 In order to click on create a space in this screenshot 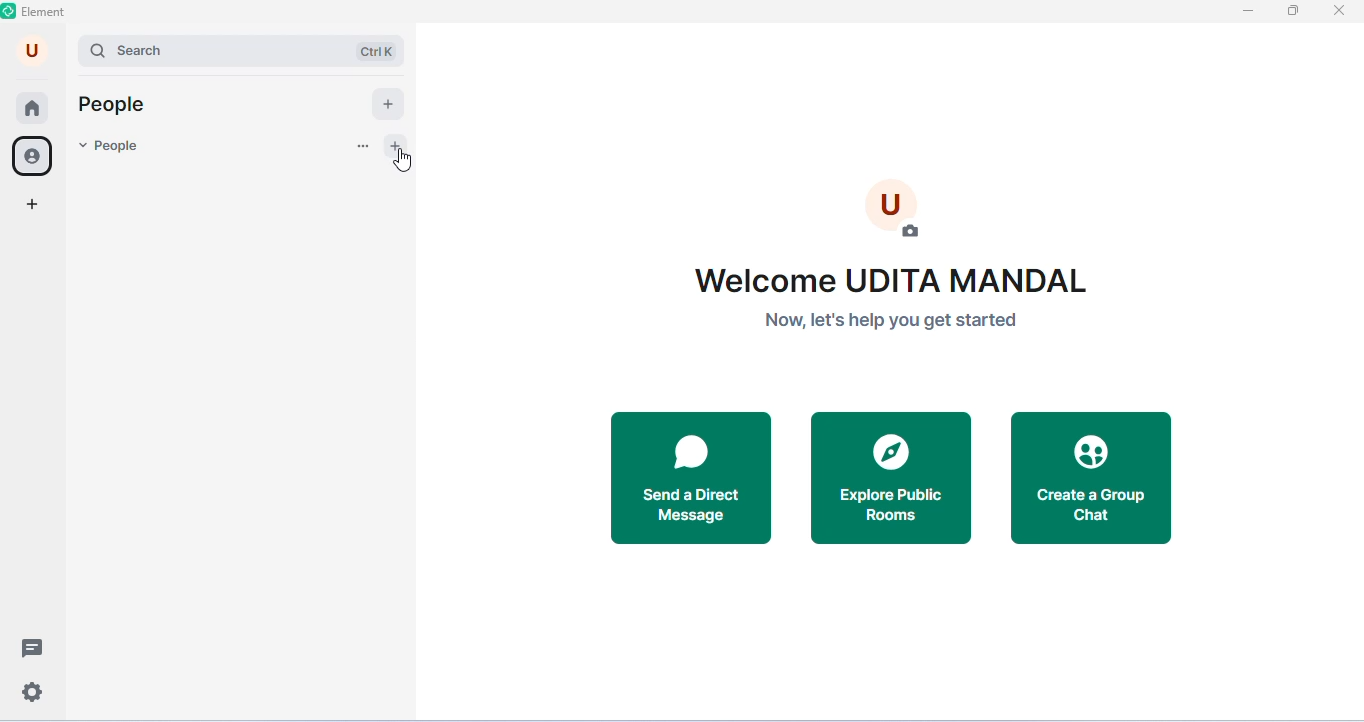, I will do `click(33, 206)`.